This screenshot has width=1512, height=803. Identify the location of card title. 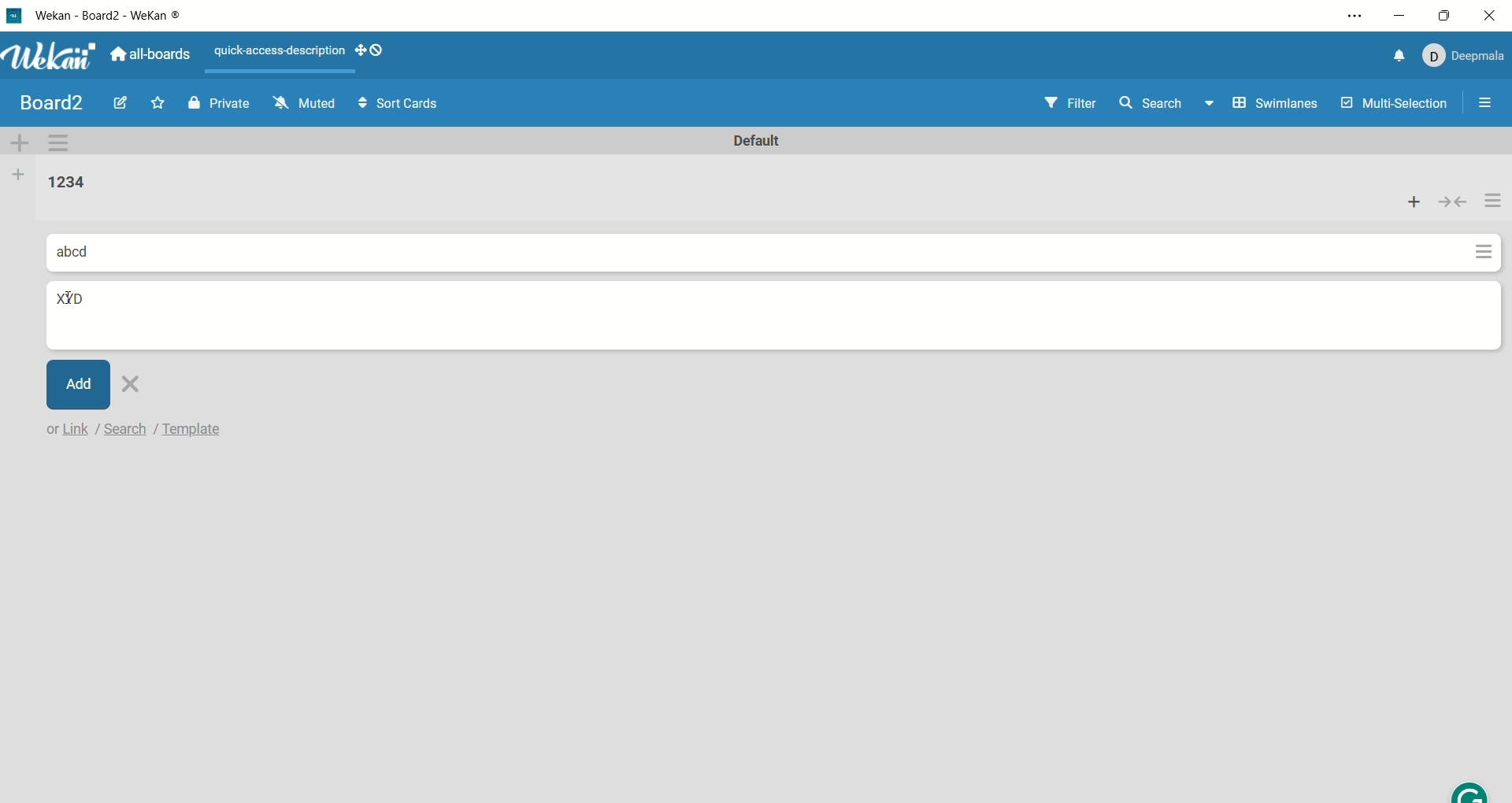
(69, 246).